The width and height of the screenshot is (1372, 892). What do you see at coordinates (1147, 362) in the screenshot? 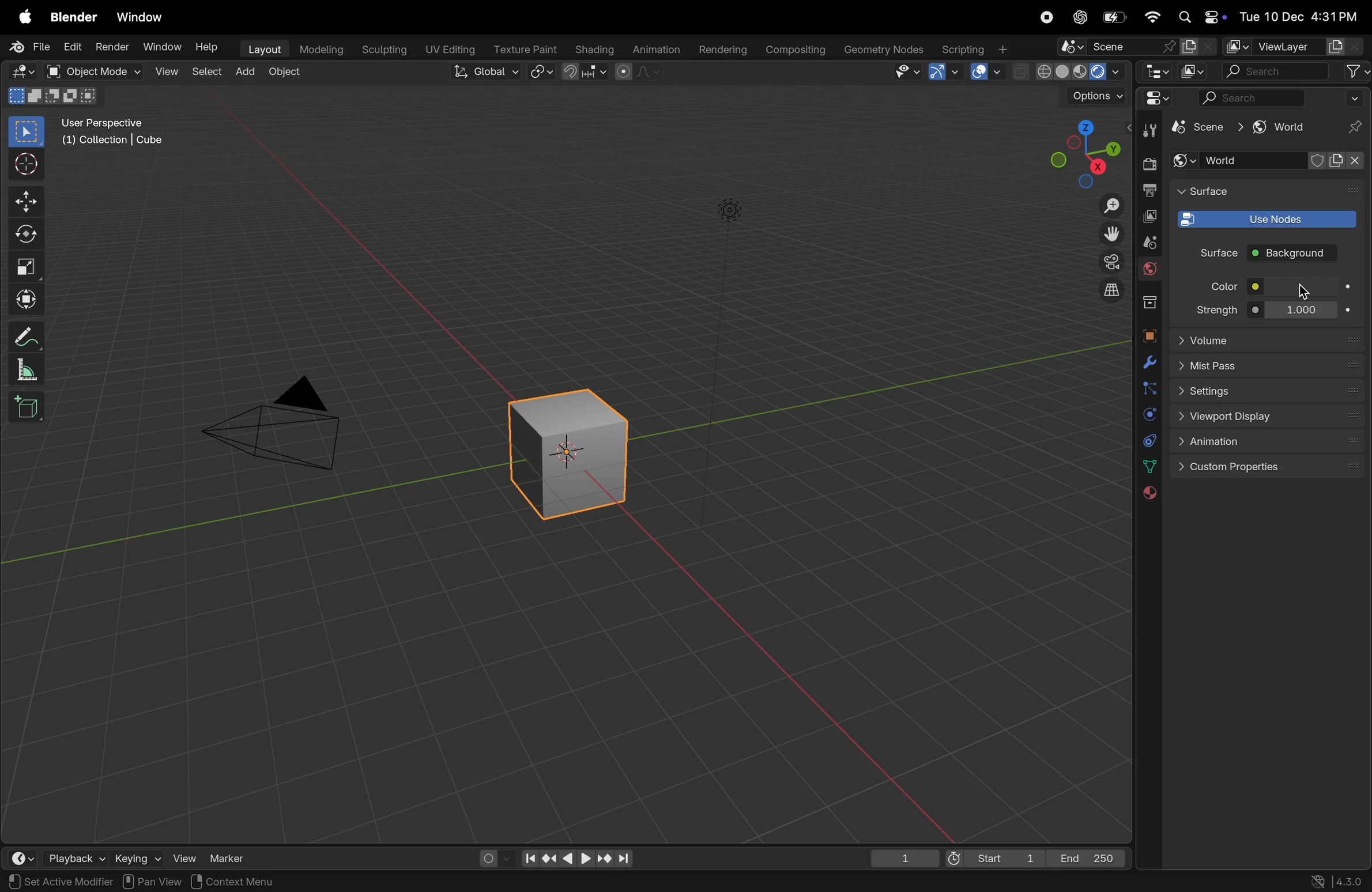
I see `modifiers` at bounding box center [1147, 362].